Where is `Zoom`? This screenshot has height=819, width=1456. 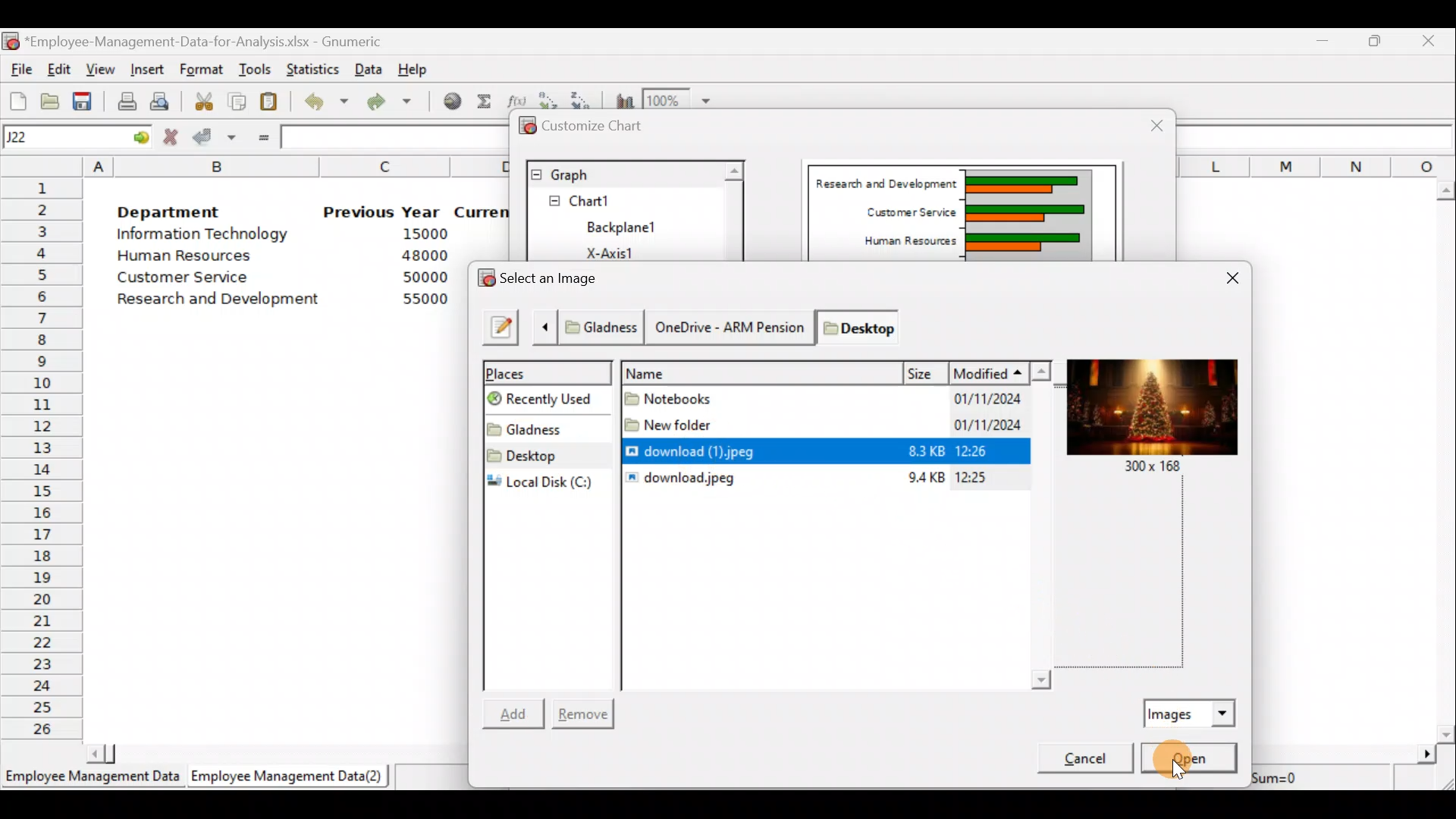 Zoom is located at coordinates (682, 99).